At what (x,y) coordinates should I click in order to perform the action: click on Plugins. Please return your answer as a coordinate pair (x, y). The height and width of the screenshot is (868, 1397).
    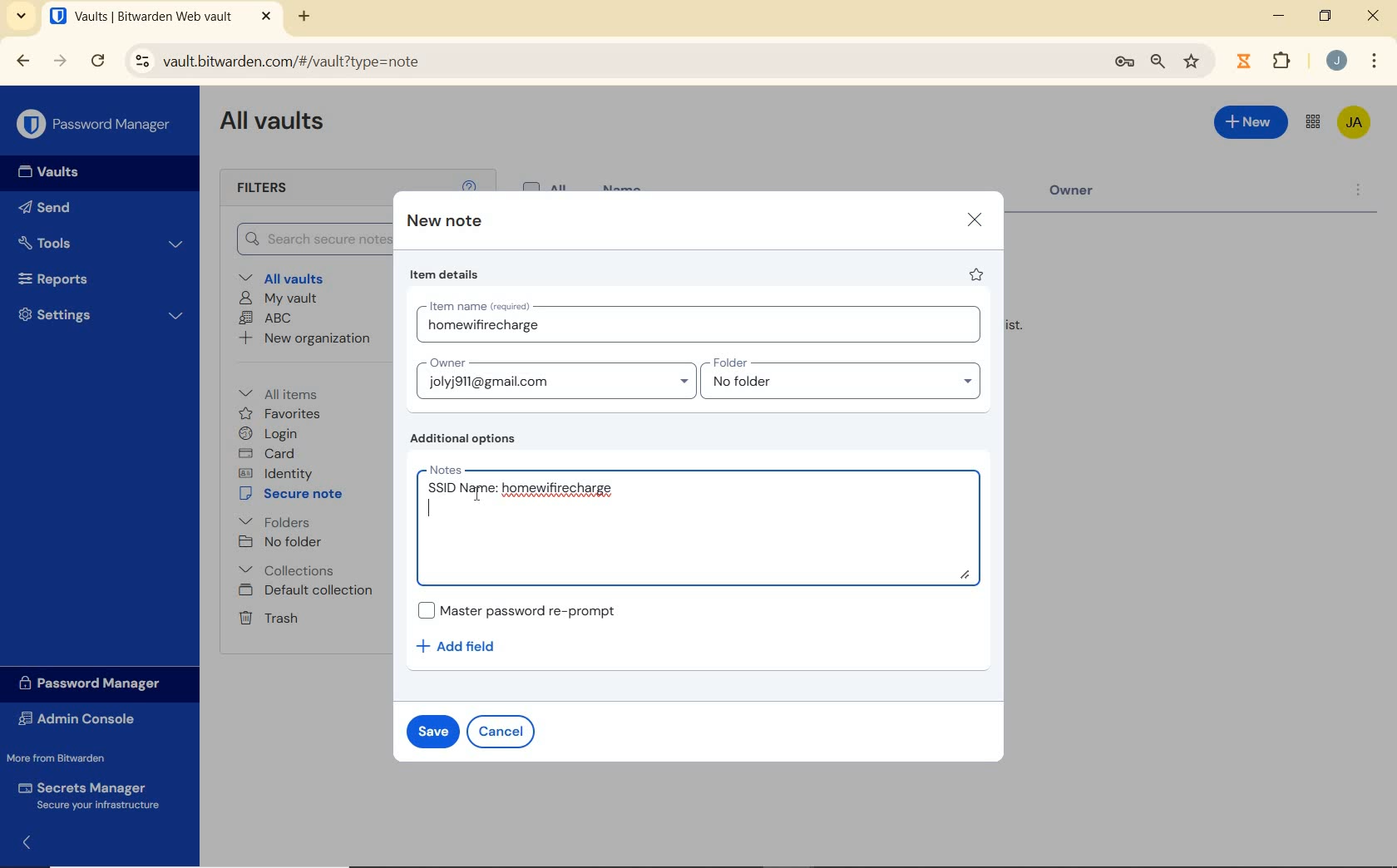
    Looking at the image, I should click on (1285, 59).